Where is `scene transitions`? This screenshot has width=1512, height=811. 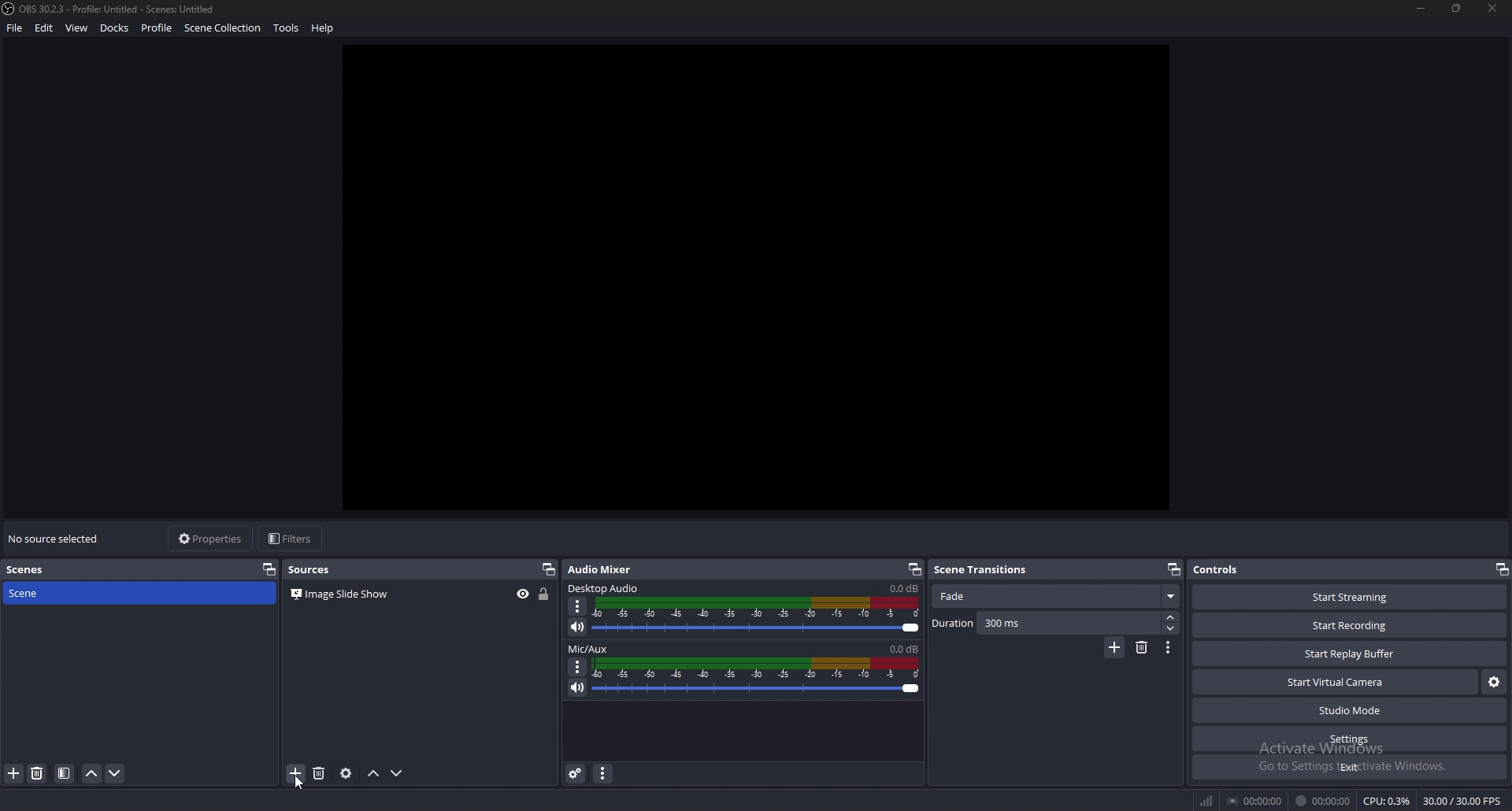
scene transitions is located at coordinates (984, 570).